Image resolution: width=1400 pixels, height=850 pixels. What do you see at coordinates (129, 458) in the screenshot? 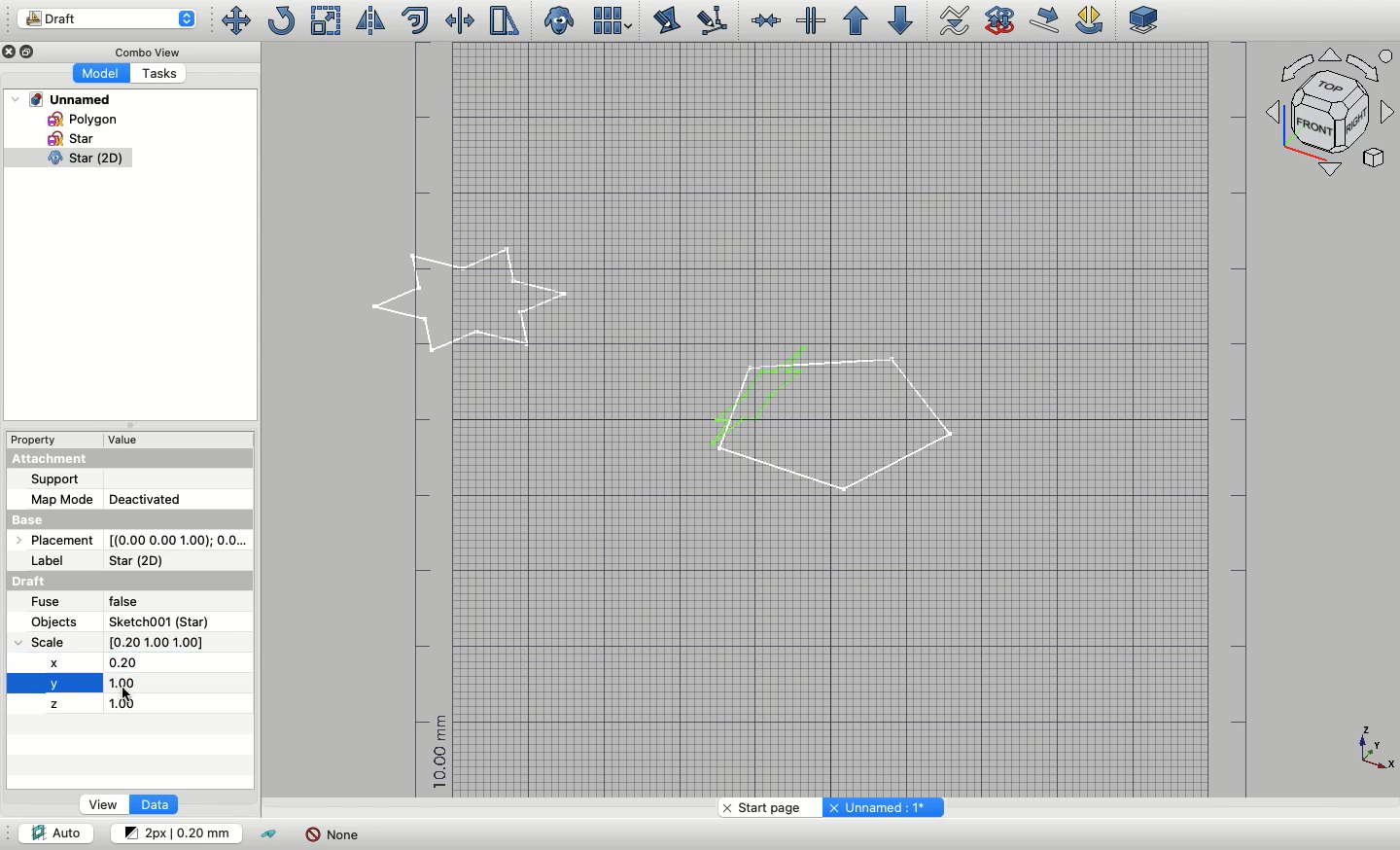
I see `Attachment` at bounding box center [129, 458].